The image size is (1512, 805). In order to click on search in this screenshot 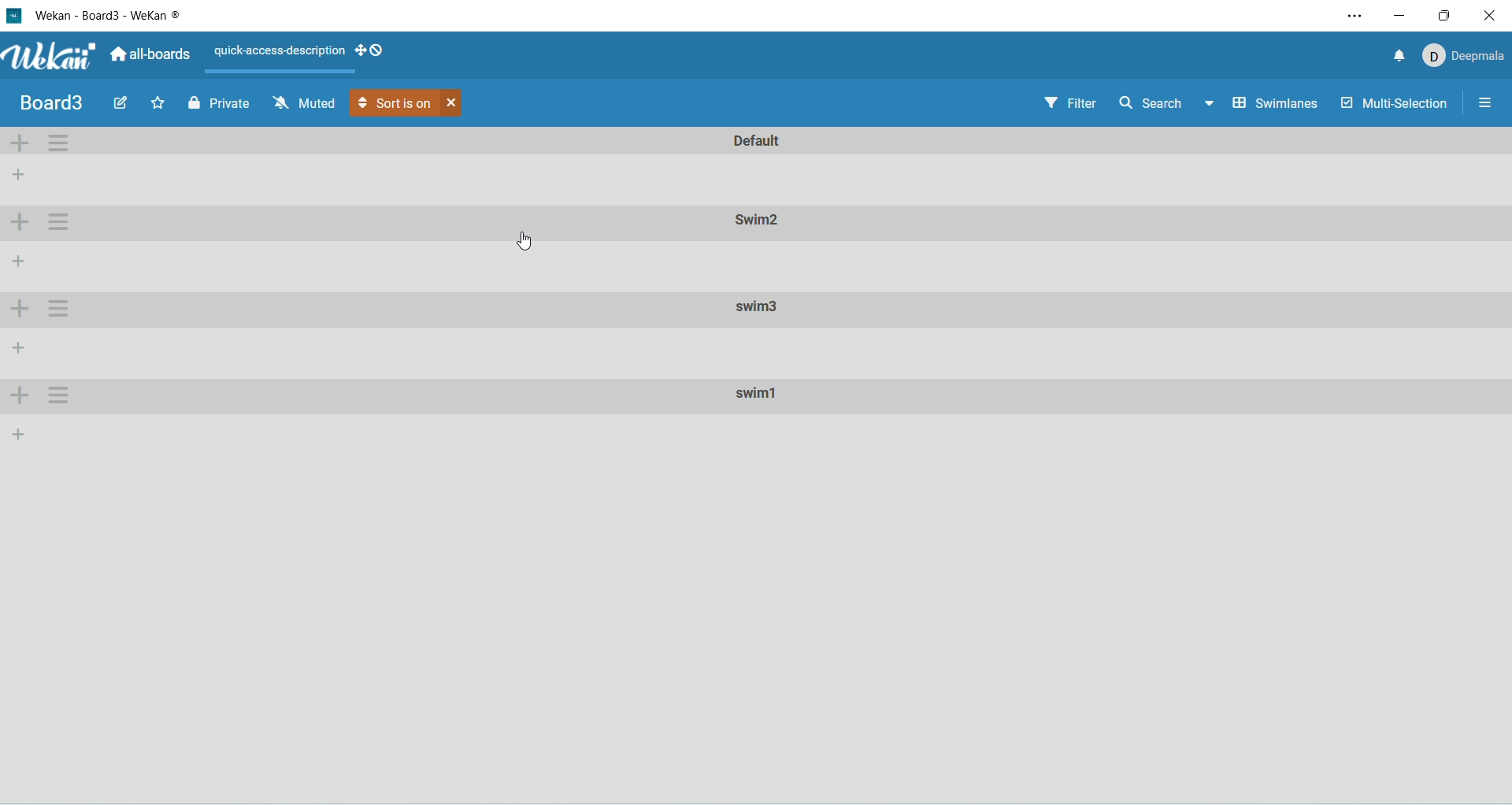, I will do `click(1168, 103)`.